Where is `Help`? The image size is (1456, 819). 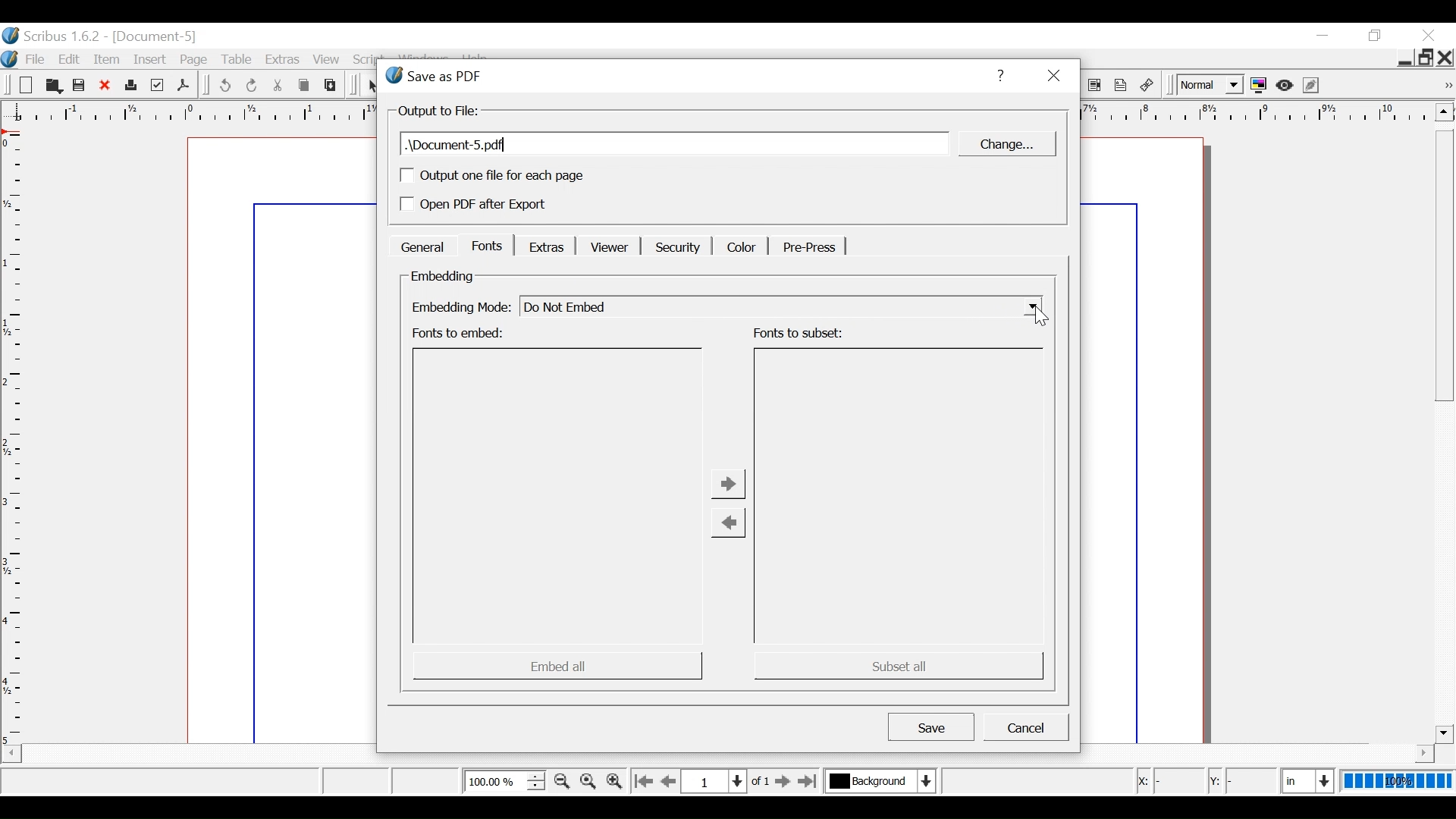
Help is located at coordinates (999, 75).